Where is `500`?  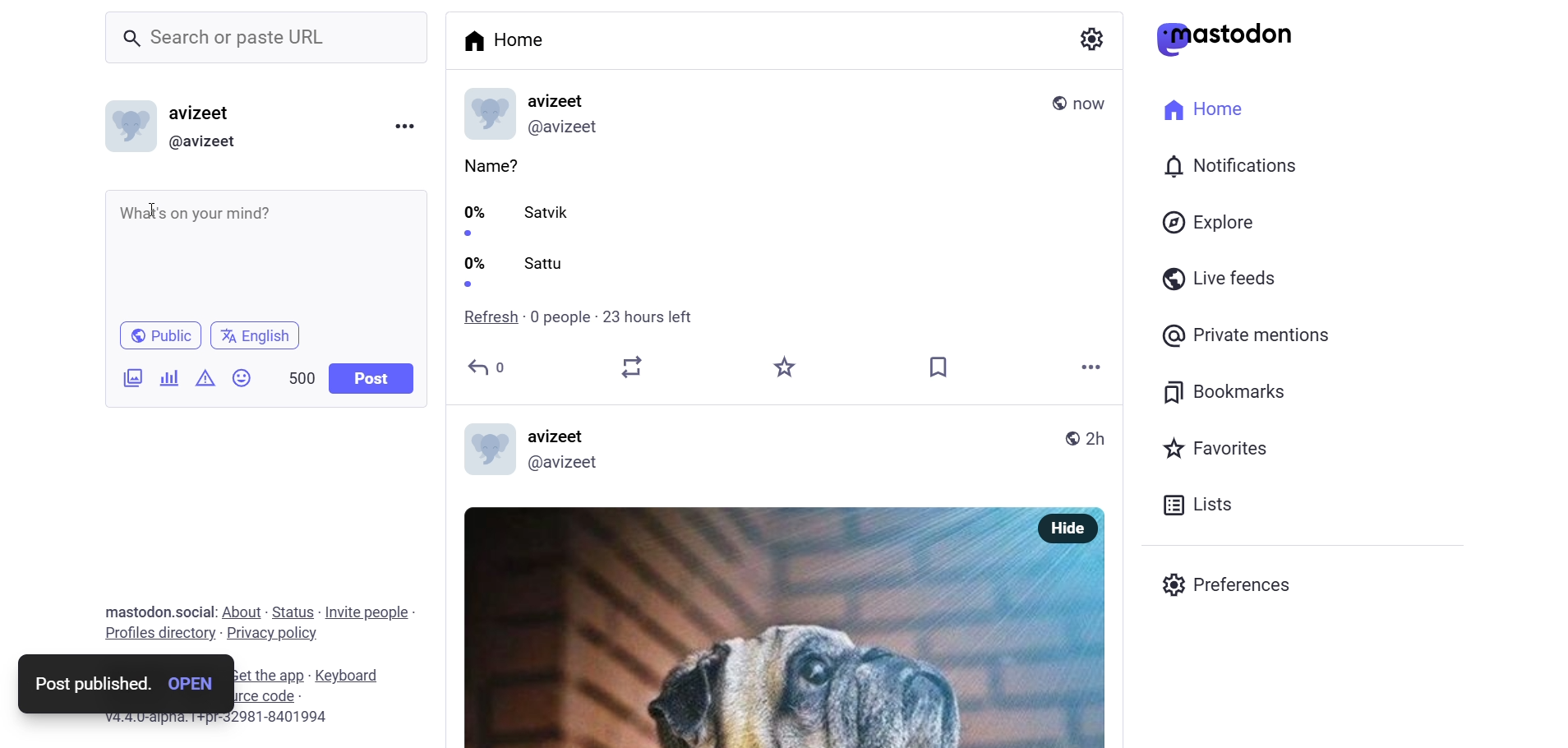
500 is located at coordinates (294, 374).